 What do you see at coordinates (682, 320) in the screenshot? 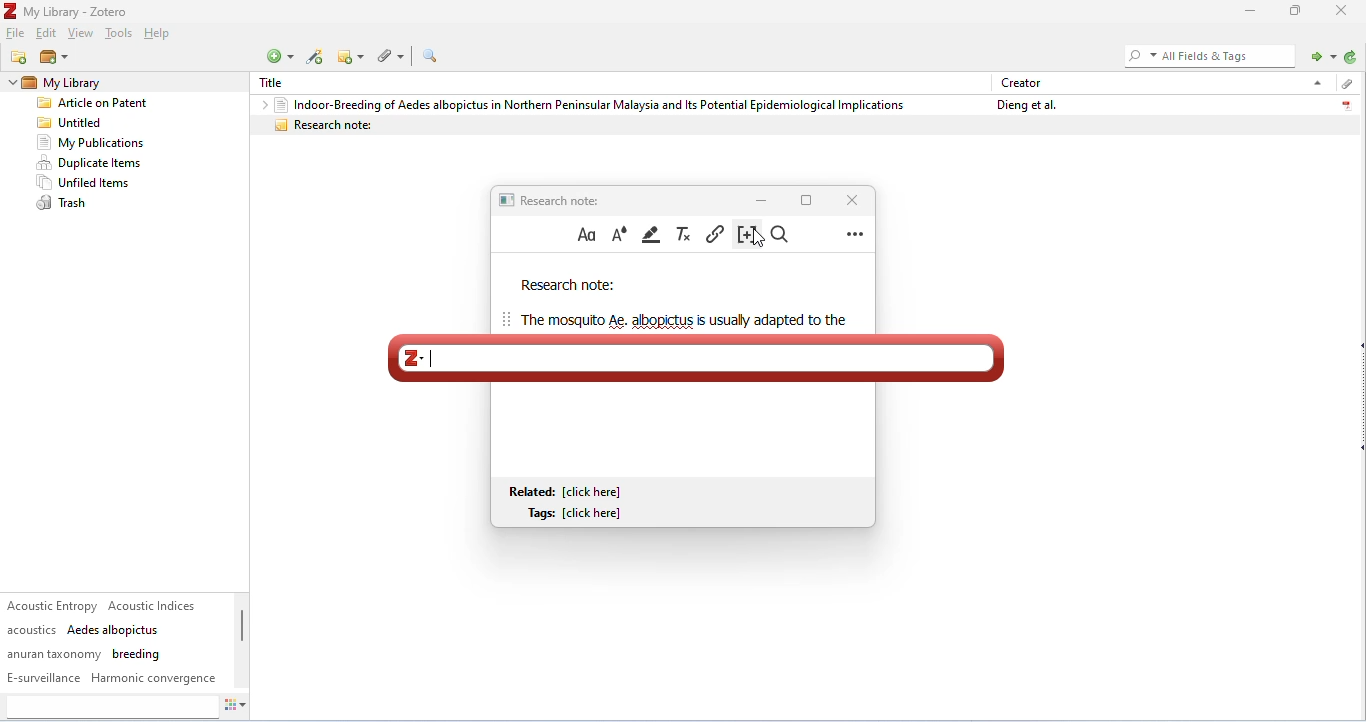
I see `text of research note` at bounding box center [682, 320].